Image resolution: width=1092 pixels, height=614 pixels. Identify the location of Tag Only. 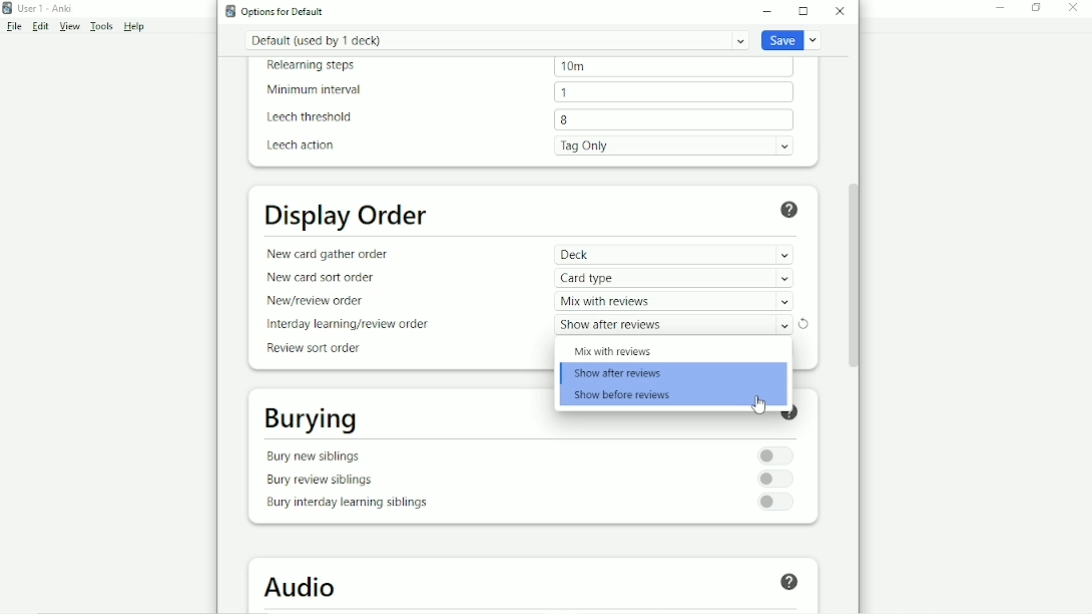
(674, 146).